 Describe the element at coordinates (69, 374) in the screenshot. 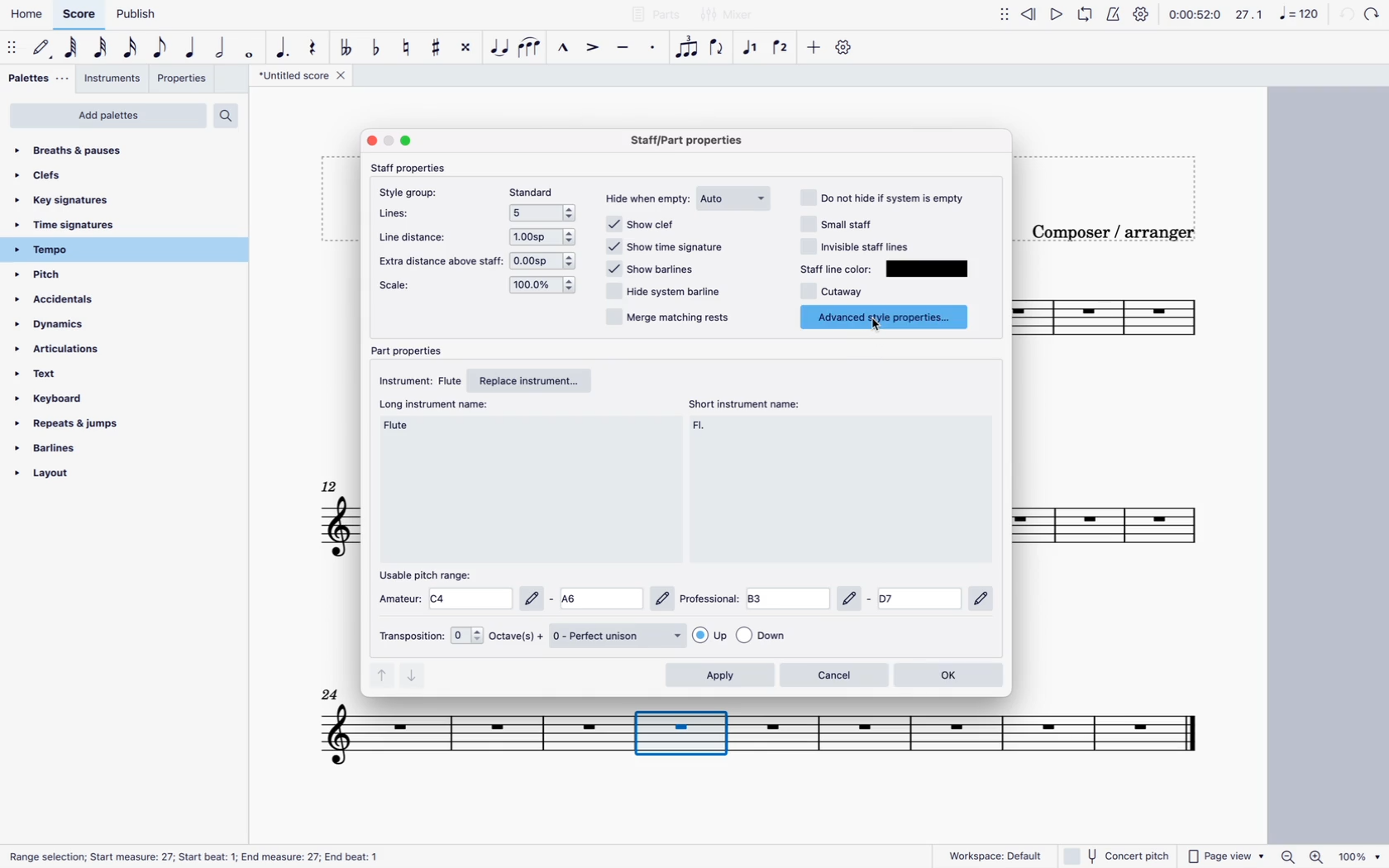

I see `text` at that location.